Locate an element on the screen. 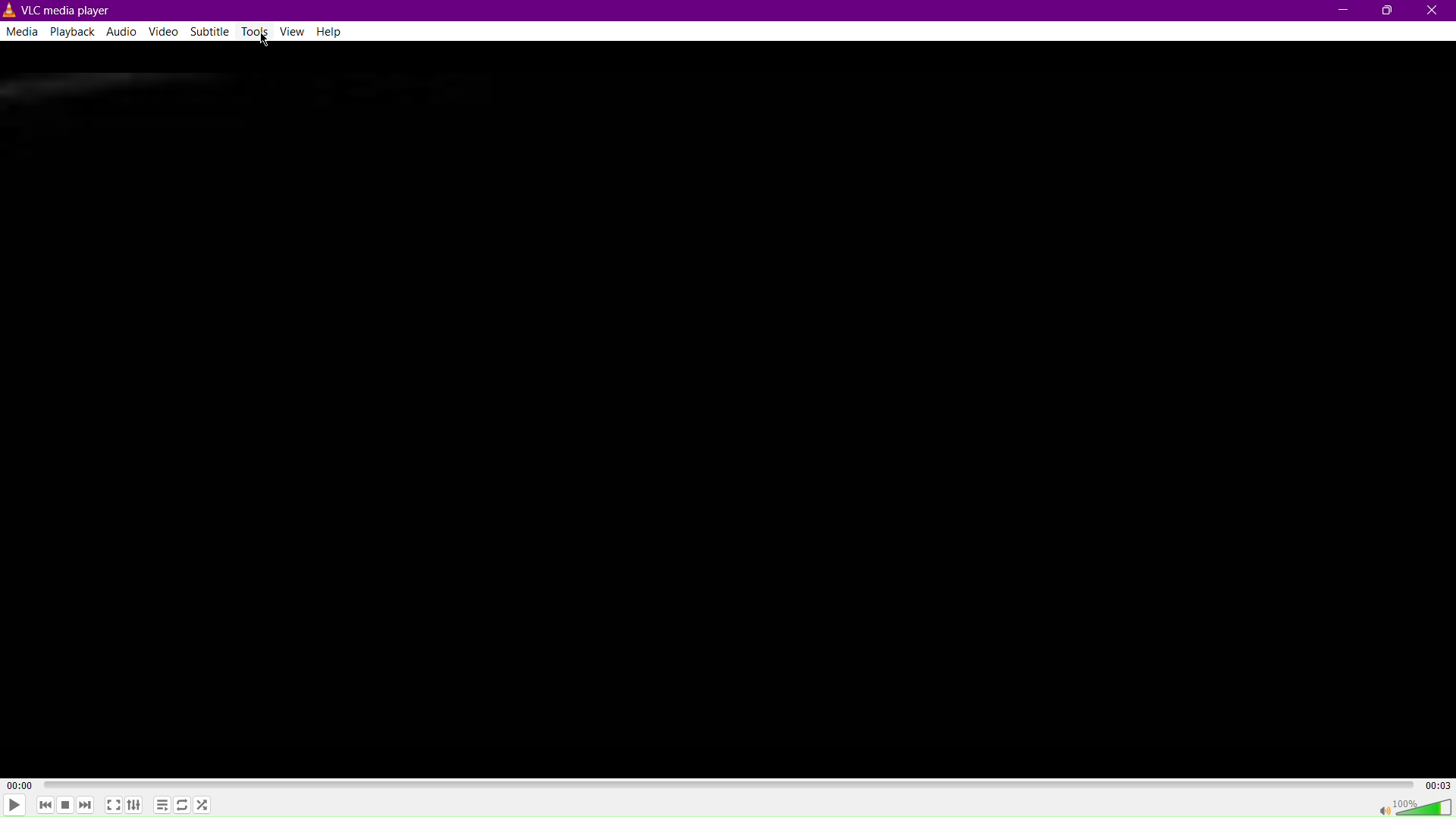  Subtitle is located at coordinates (211, 34).